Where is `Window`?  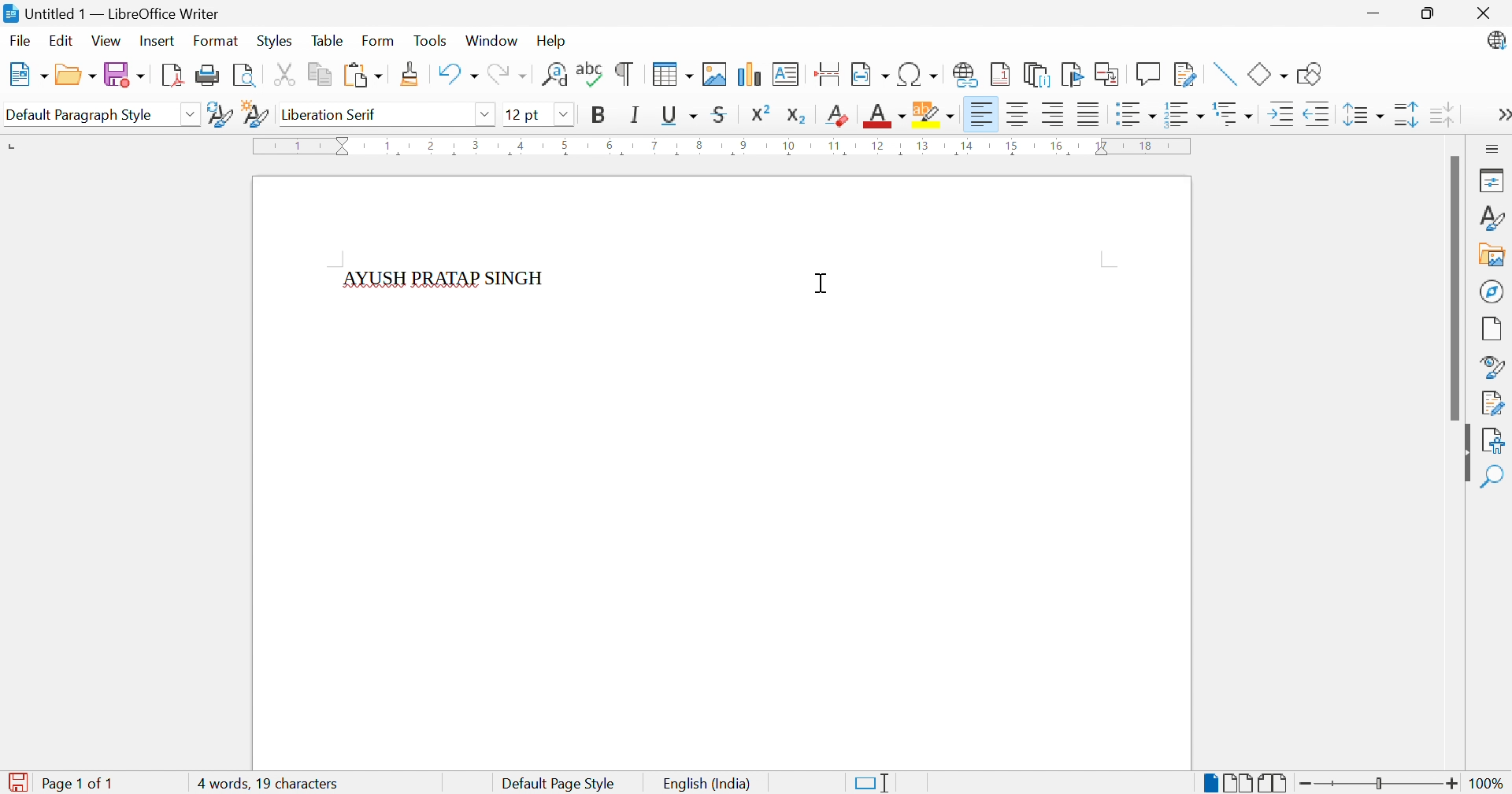
Window is located at coordinates (491, 41).